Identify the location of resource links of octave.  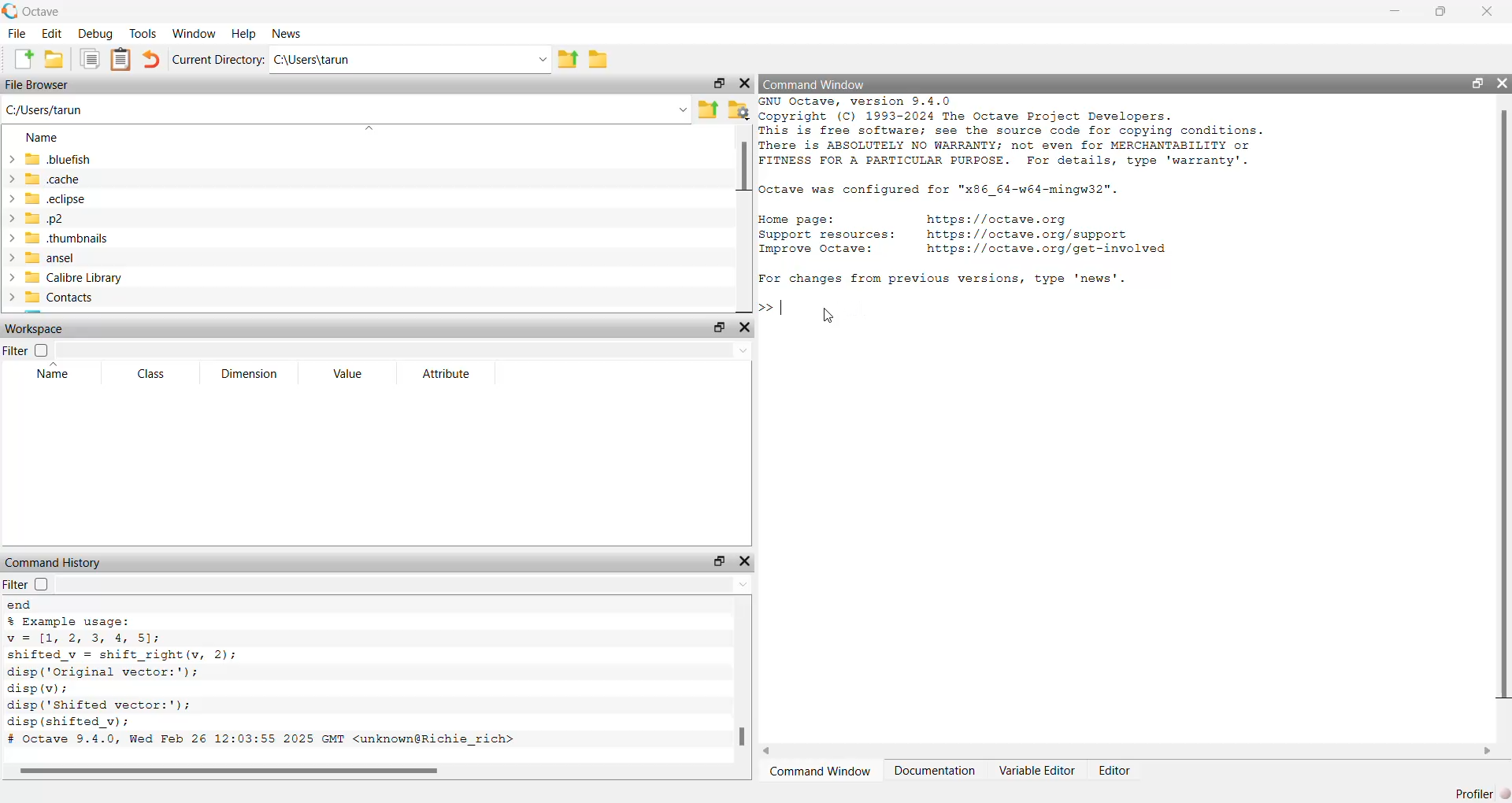
(982, 237).